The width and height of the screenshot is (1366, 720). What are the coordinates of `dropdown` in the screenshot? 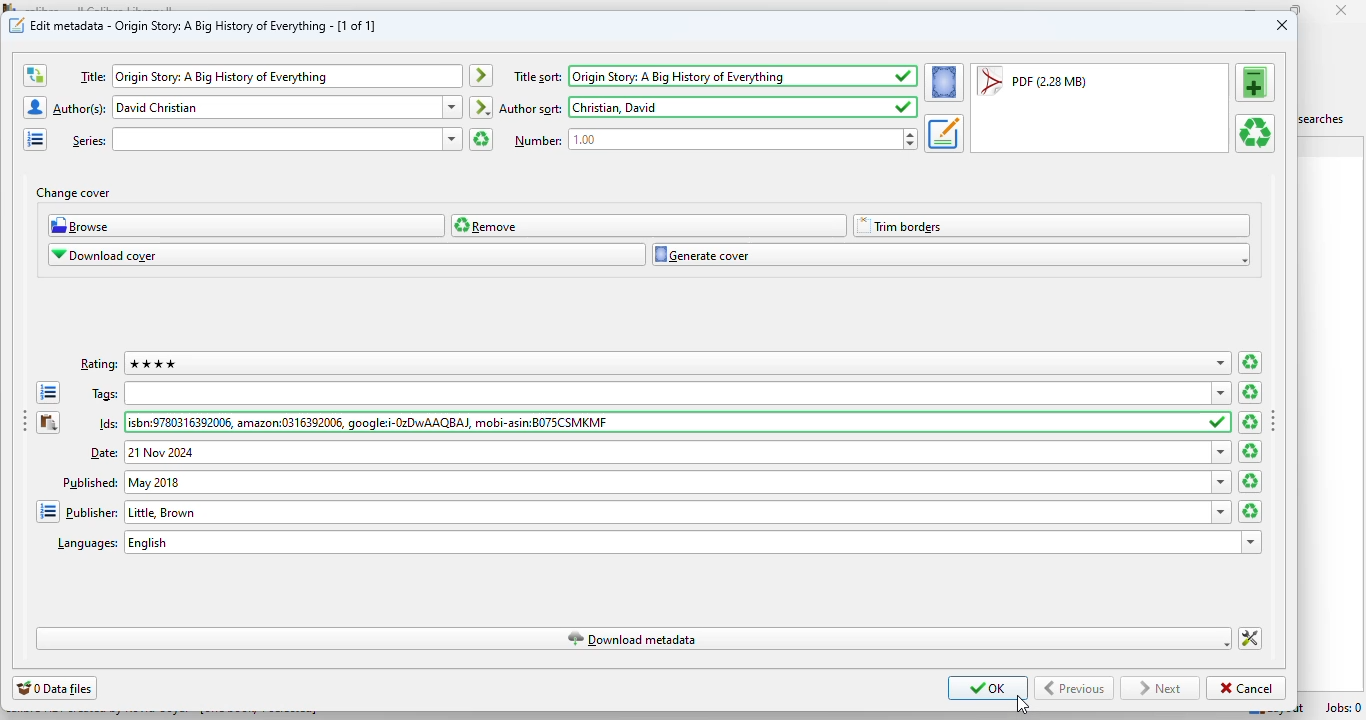 It's located at (1224, 482).